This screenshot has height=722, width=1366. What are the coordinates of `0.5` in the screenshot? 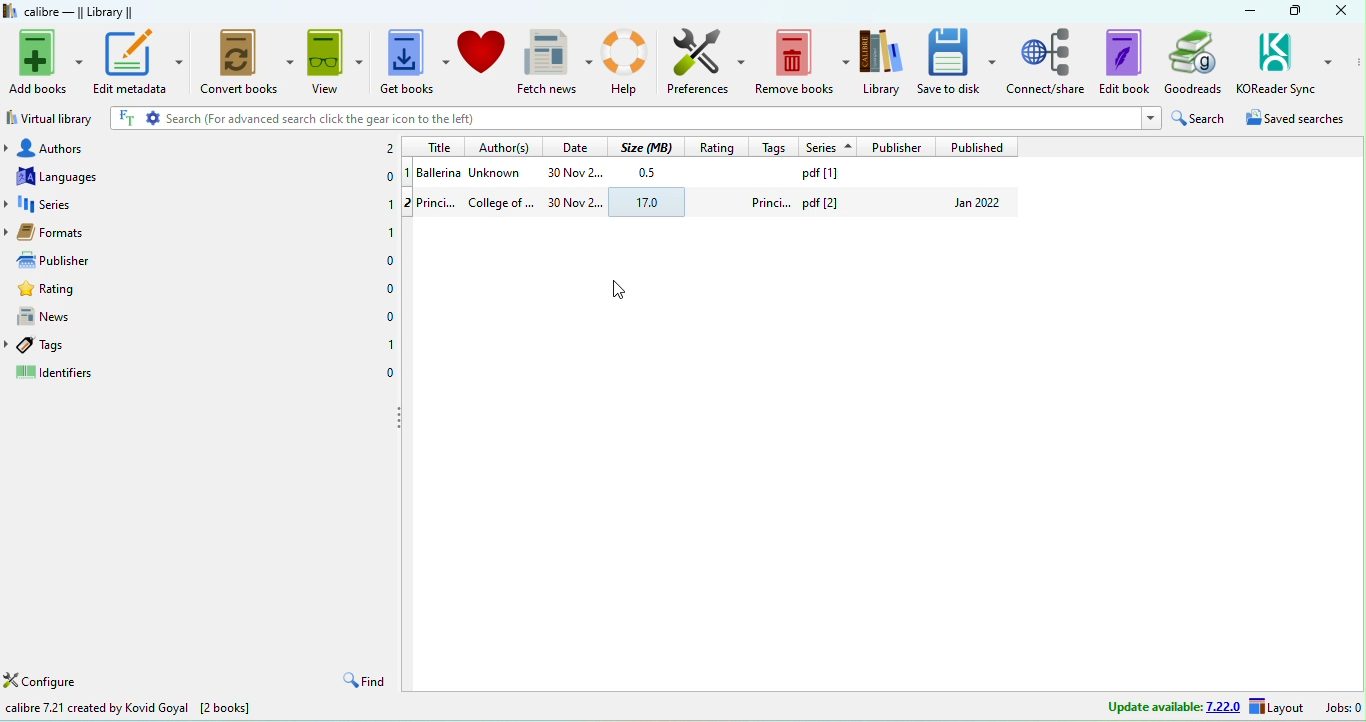 It's located at (646, 170).